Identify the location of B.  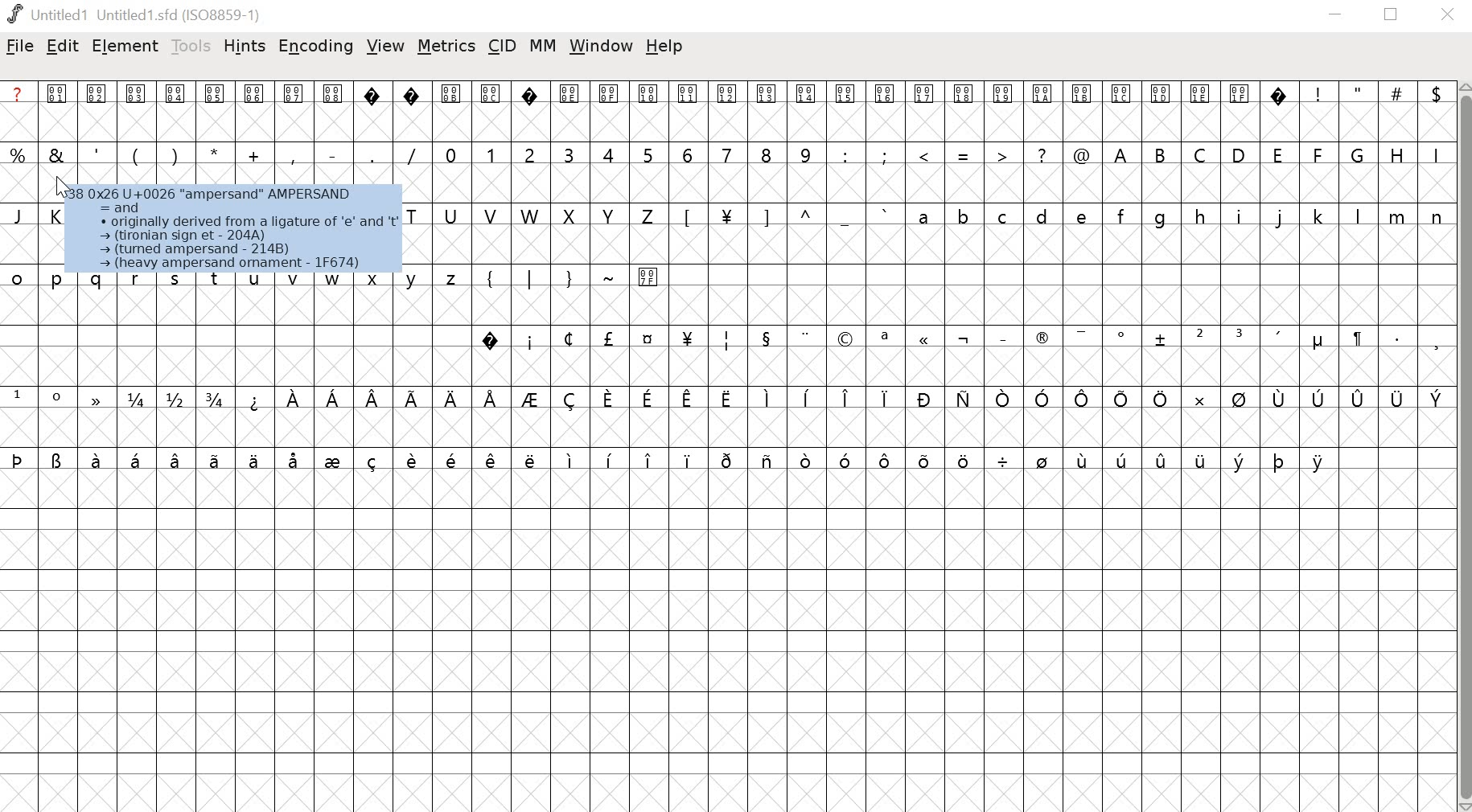
(1162, 154).